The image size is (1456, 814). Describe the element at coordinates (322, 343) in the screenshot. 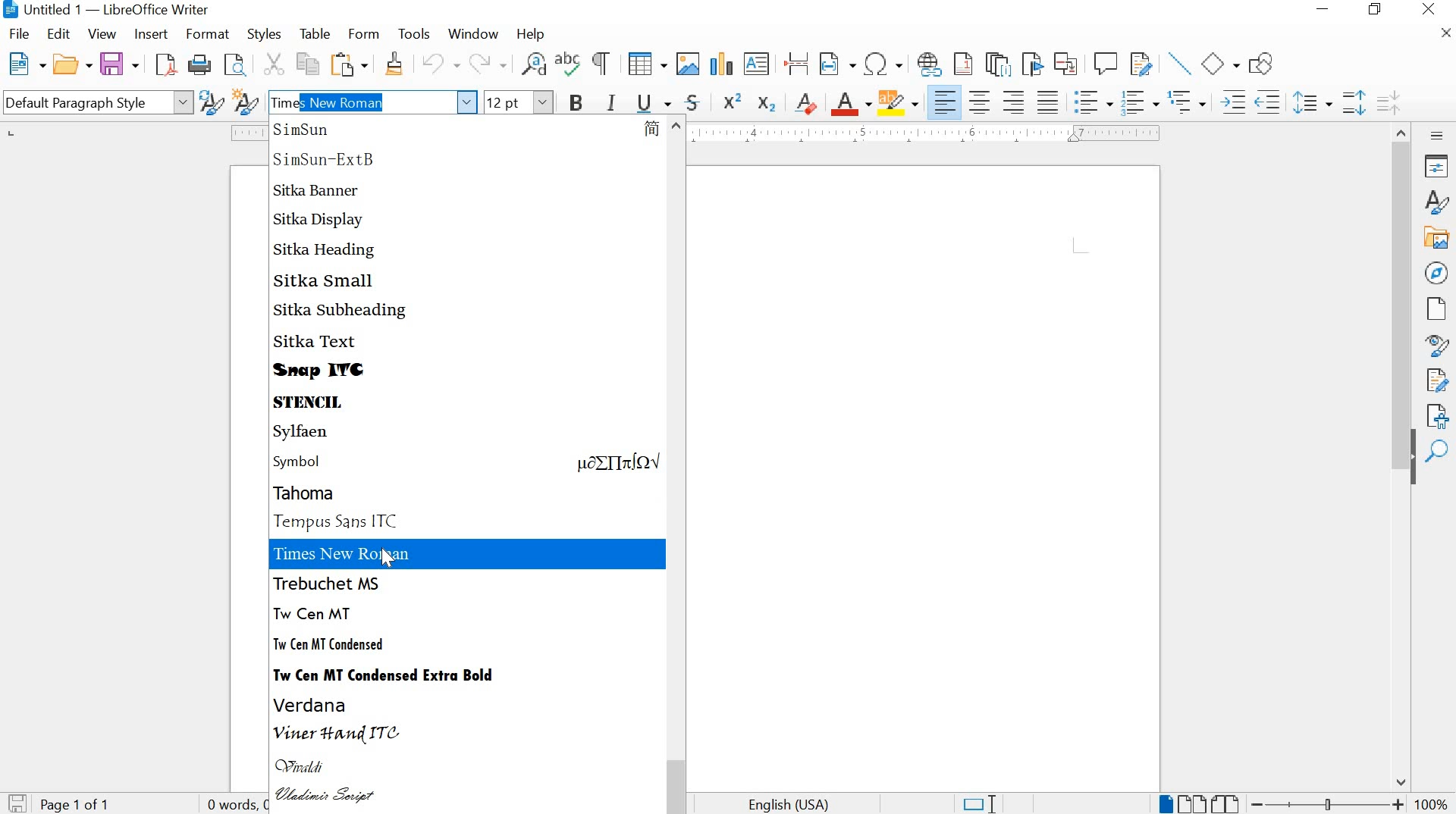

I see `SITKA TEXT` at that location.